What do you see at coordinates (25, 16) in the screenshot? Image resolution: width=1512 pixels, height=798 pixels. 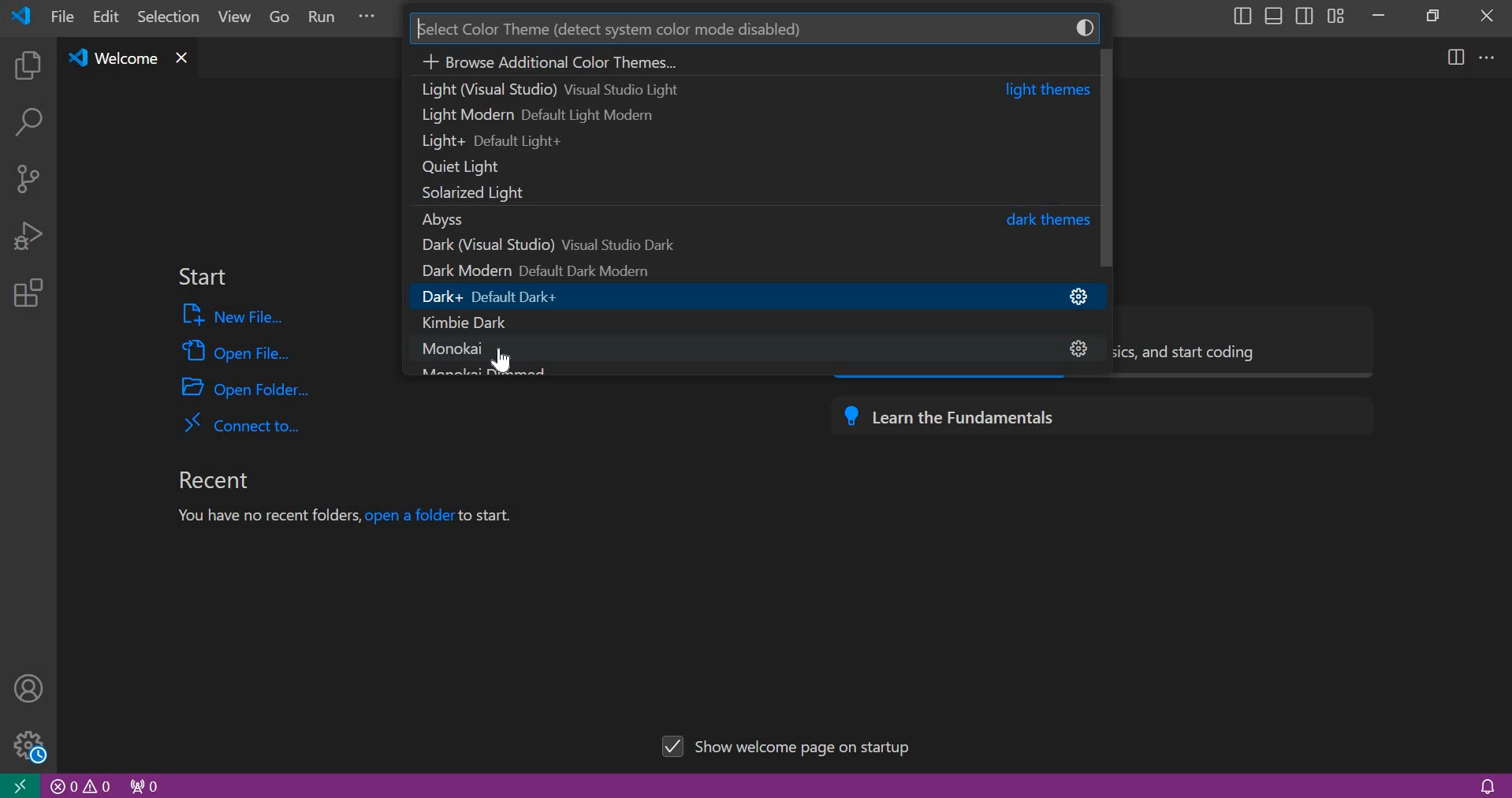 I see `vscode system` at bounding box center [25, 16].